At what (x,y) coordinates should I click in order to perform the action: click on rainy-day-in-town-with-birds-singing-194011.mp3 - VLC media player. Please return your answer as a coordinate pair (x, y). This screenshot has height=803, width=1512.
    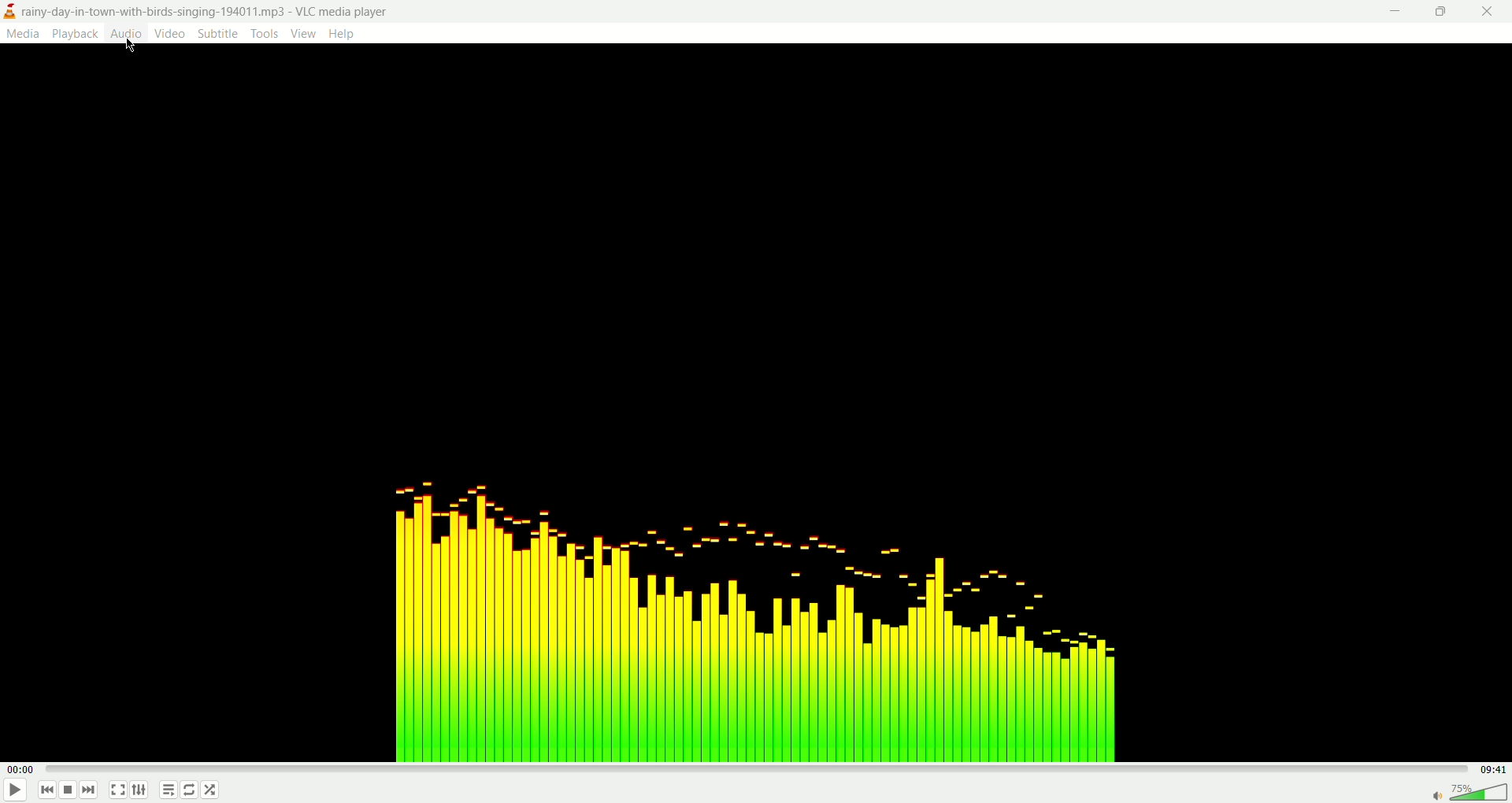
    Looking at the image, I should click on (215, 10).